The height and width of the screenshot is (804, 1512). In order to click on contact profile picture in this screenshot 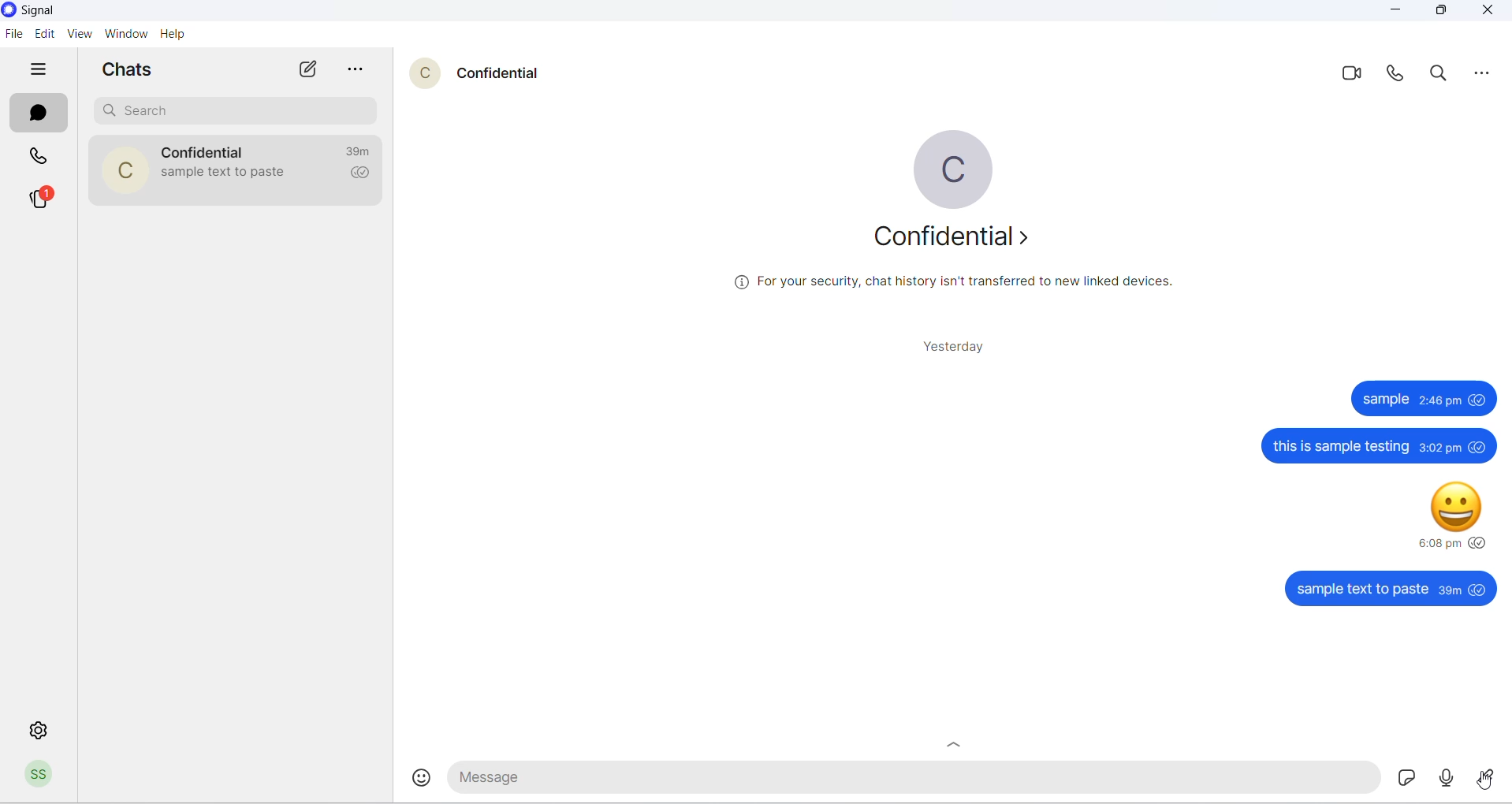, I will do `click(427, 73)`.